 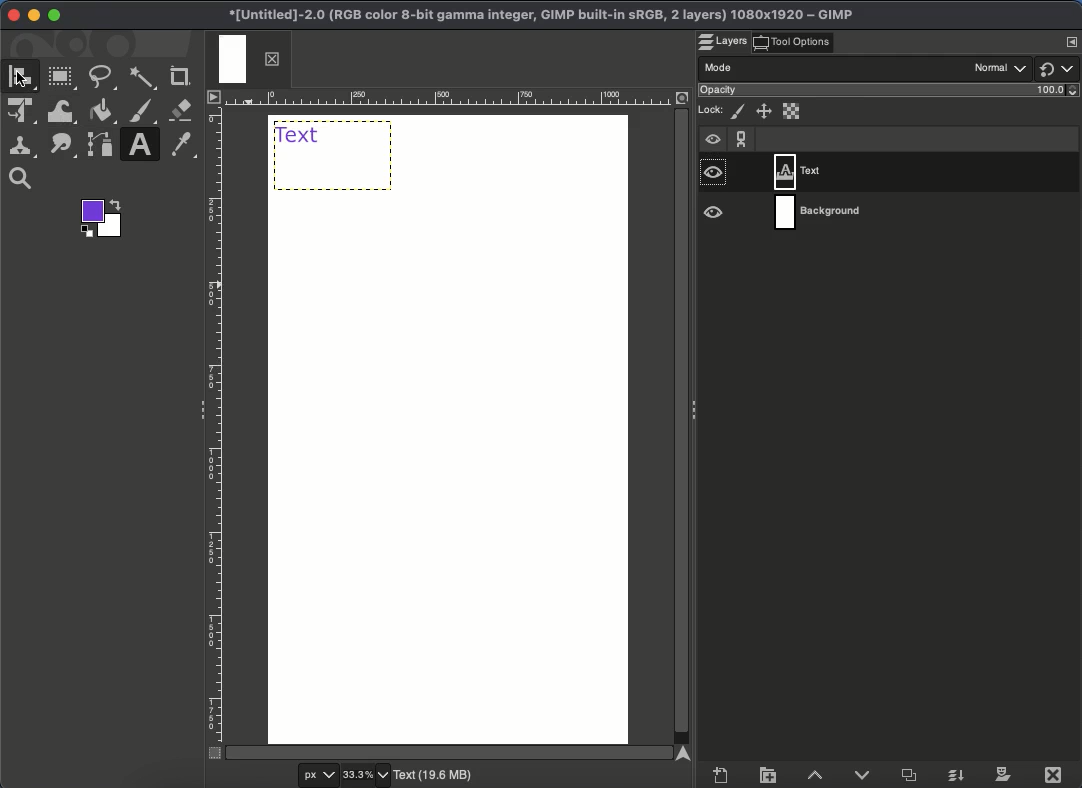 I want to click on Unified transformation, so click(x=24, y=113).